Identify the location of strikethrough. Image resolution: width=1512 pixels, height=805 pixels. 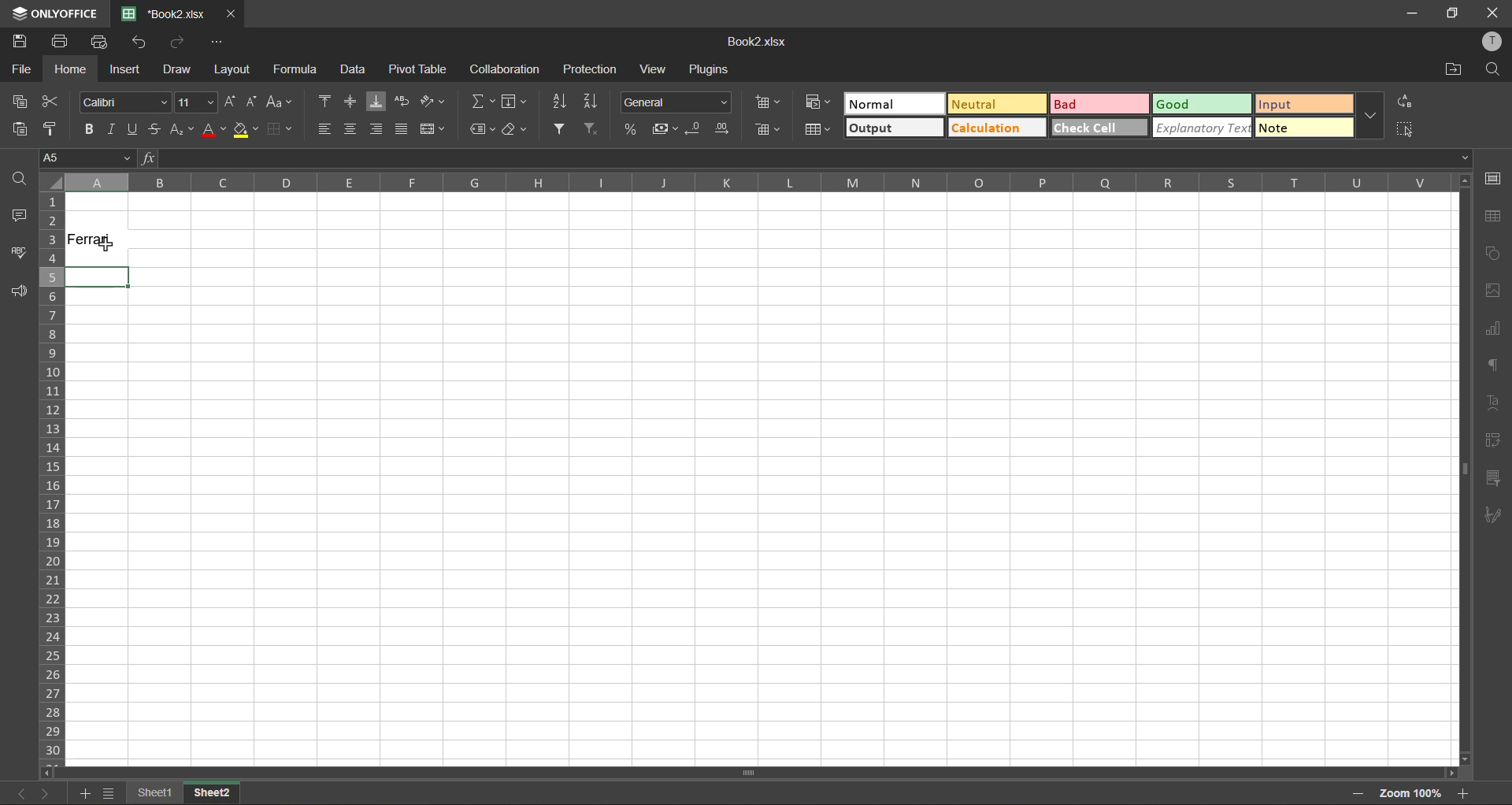
(157, 131).